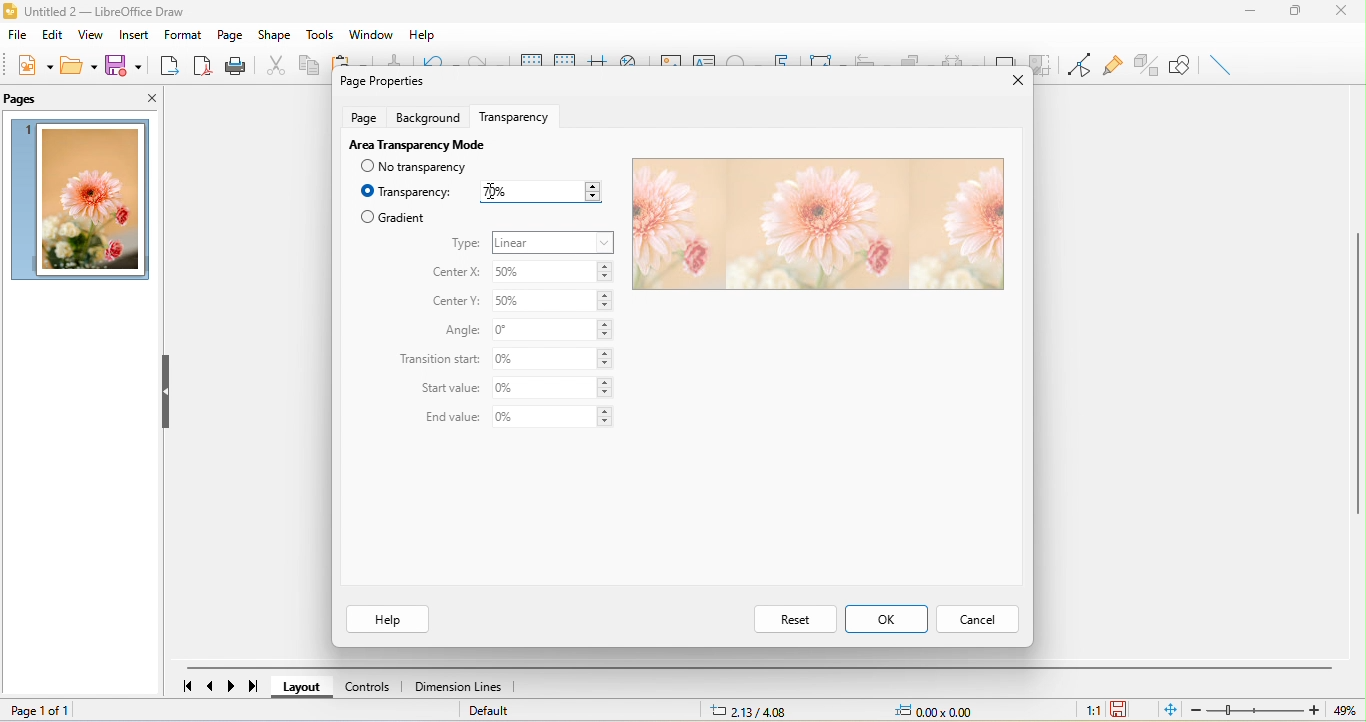  What do you see at coordinates (307, 64) in the screenshot?
I see `copy` at bounding box center [307, 64].